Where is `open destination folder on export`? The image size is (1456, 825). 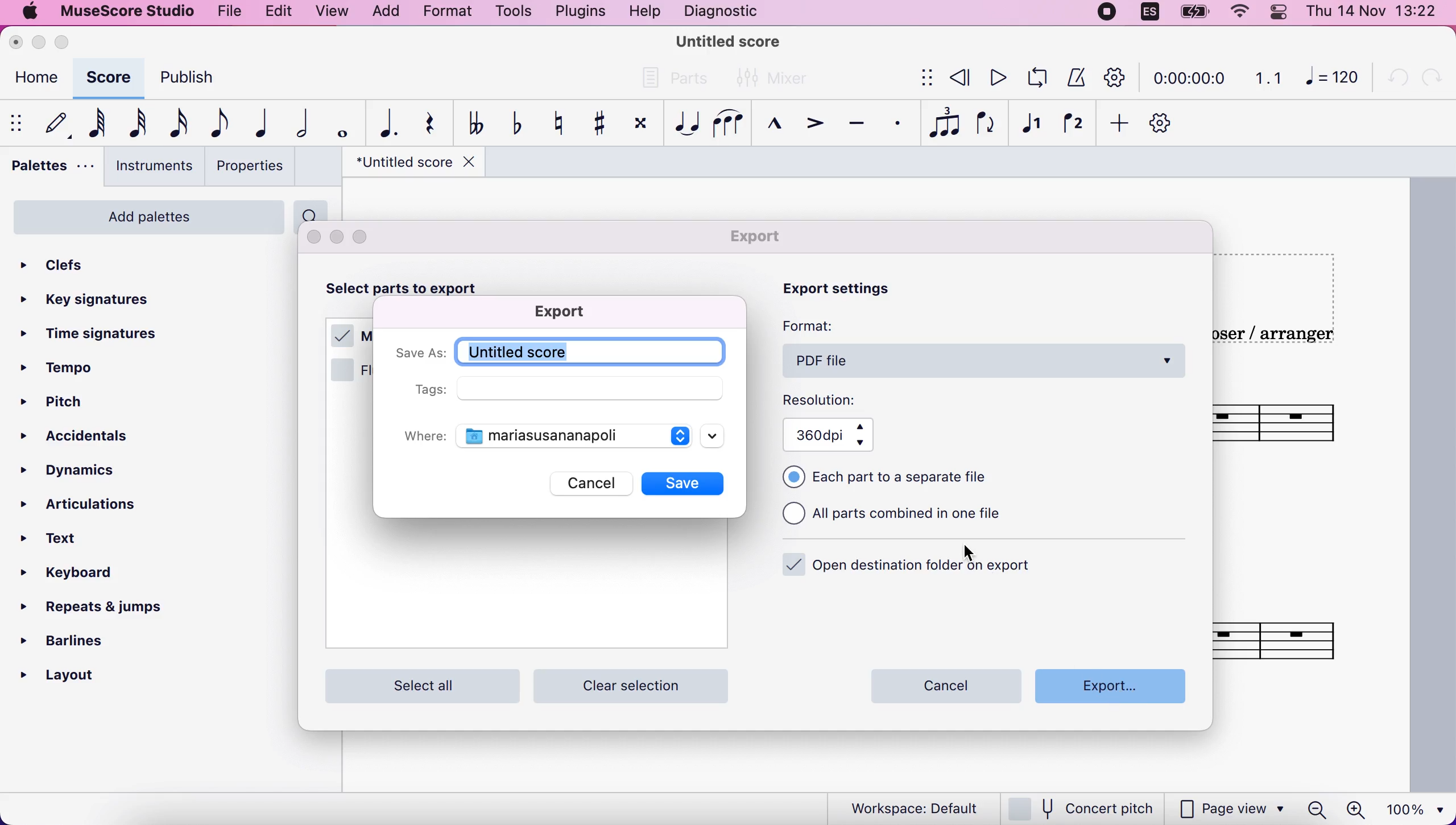 open destination folder on export is located at coordinates (912, 568).